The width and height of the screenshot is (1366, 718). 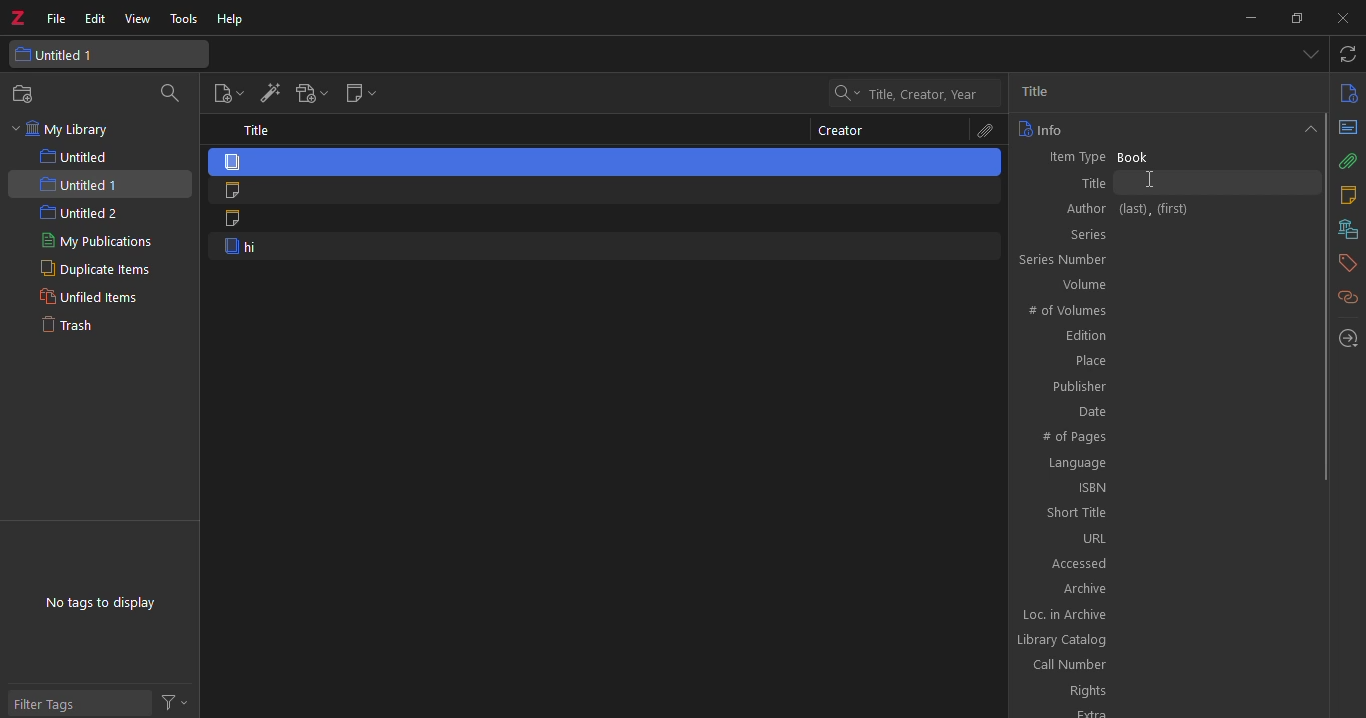 I want to click on series number, so click(x=1163, y=258).